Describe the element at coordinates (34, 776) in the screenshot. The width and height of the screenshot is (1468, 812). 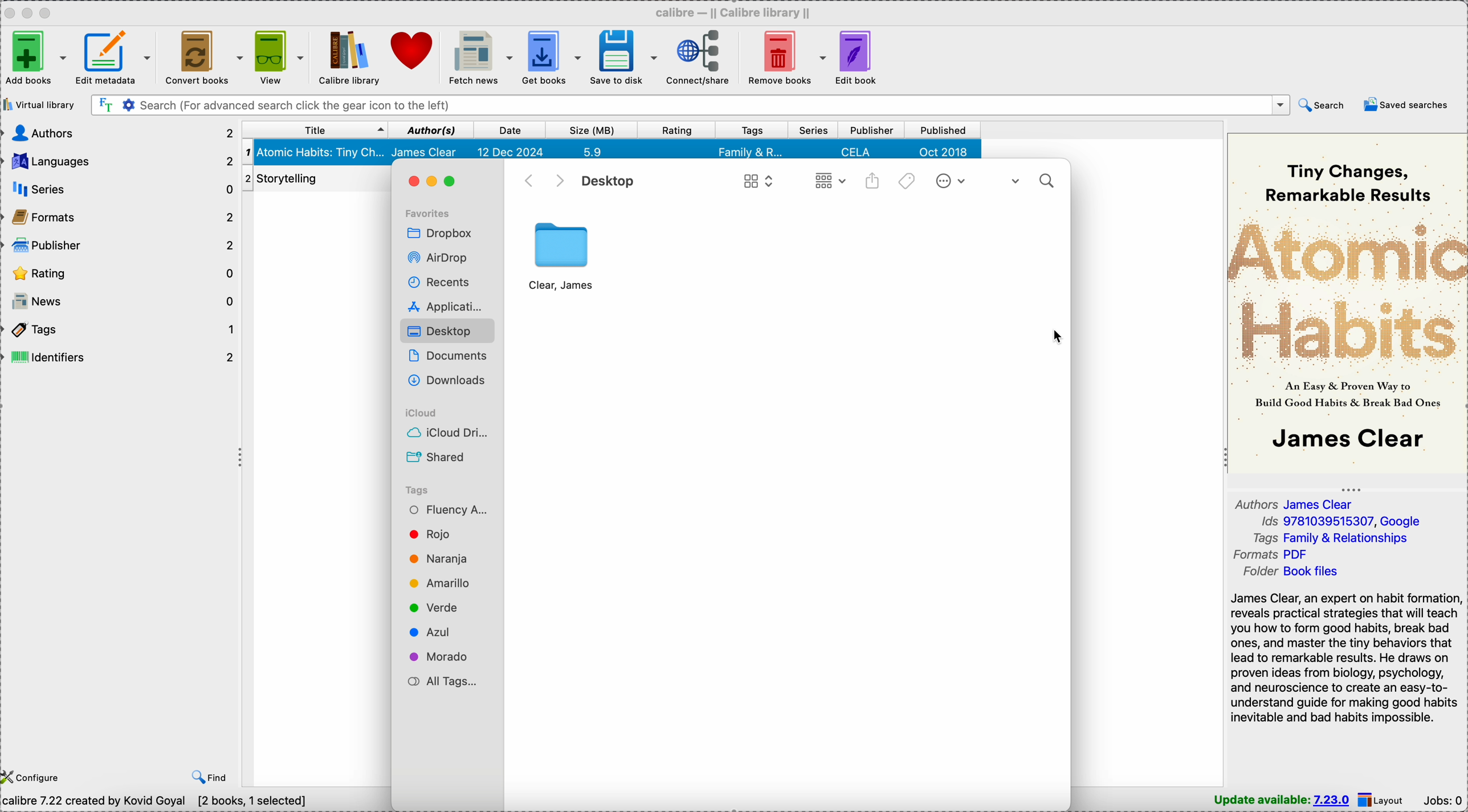
I see `configure` at that location.